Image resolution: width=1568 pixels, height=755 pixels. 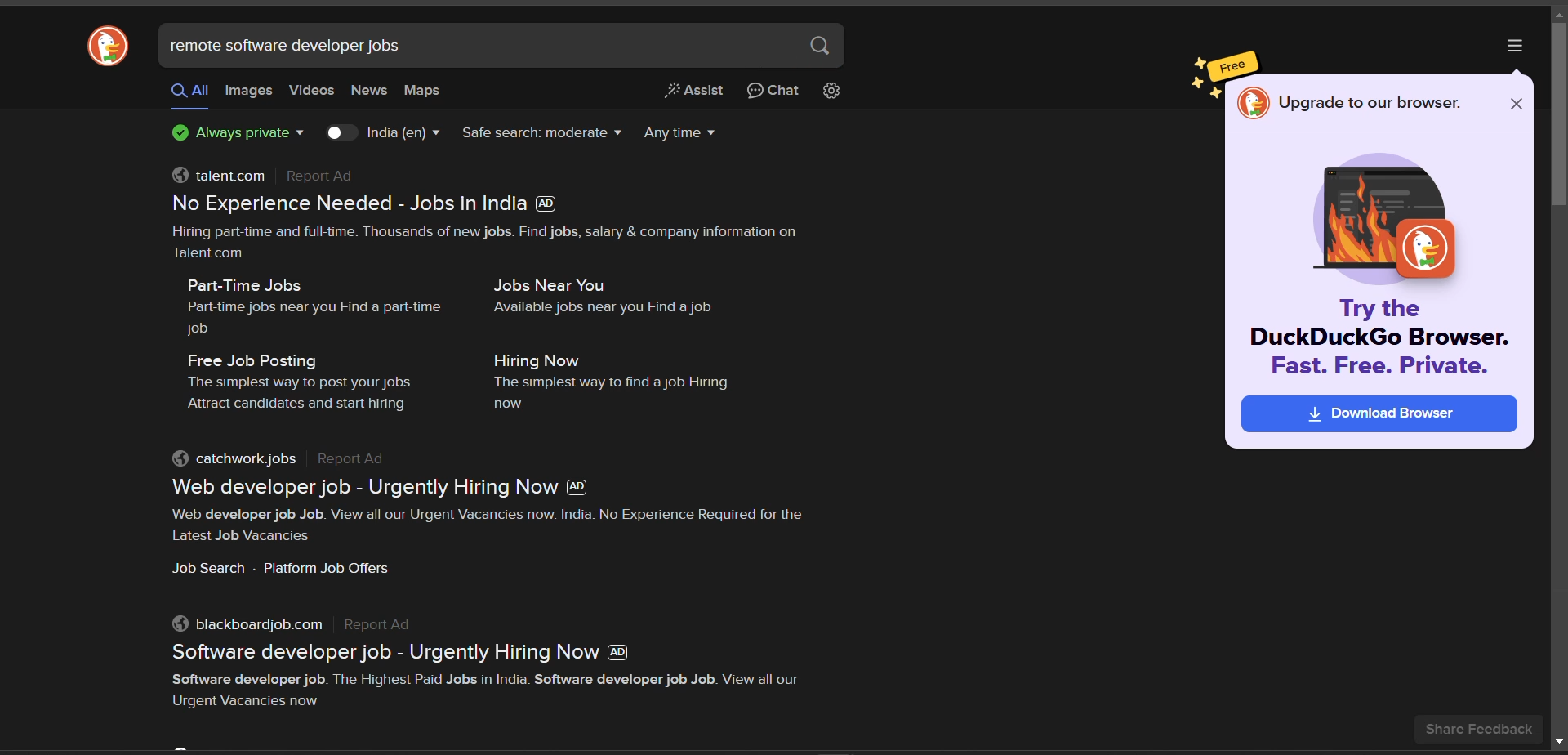 I want to click on results timeline filter, so click(x=683, y=135).